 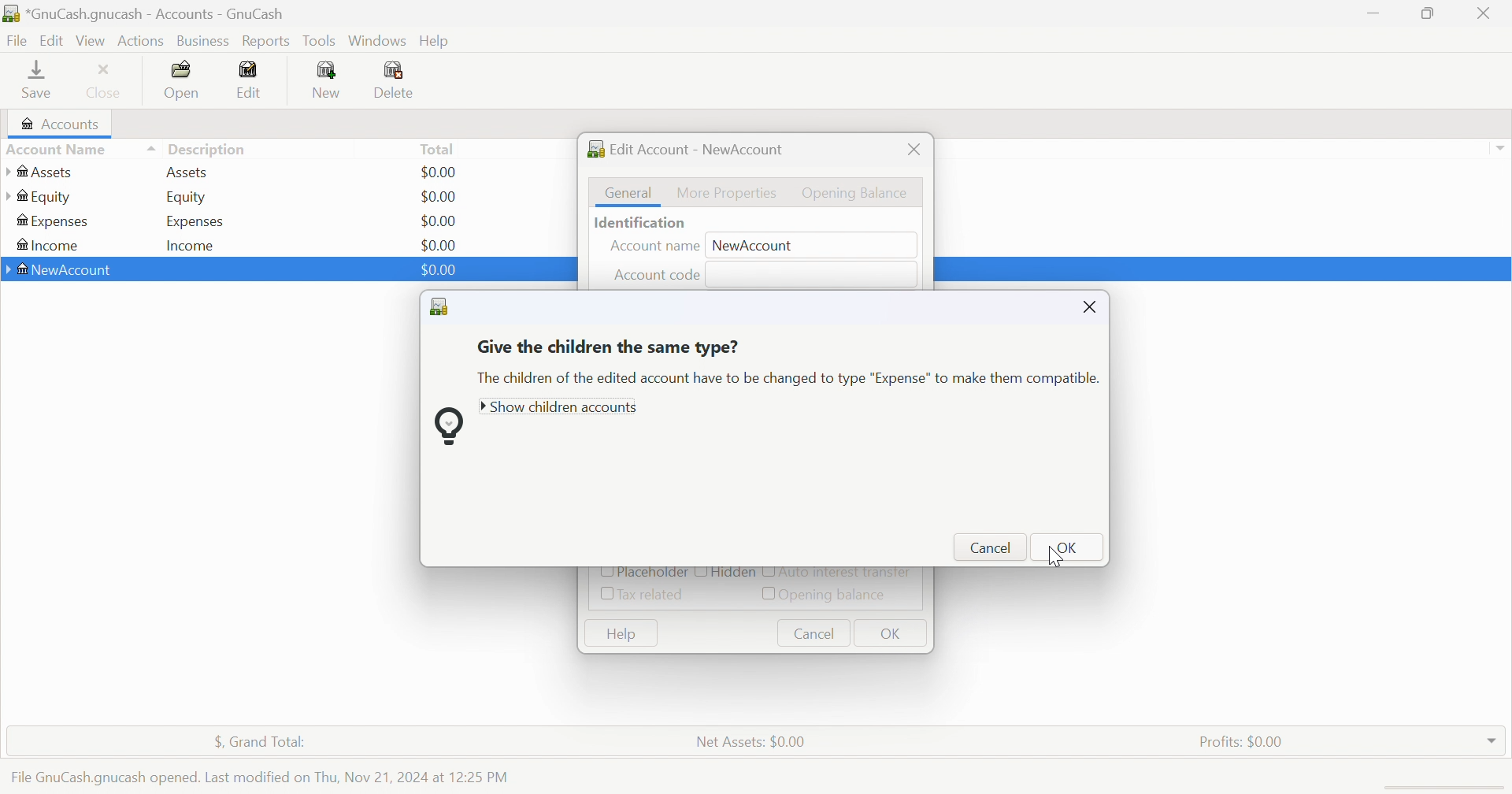 What do you see at coordinates (46, 247) in the screenshot?
I see `Income` at bounding box center [46, 247].